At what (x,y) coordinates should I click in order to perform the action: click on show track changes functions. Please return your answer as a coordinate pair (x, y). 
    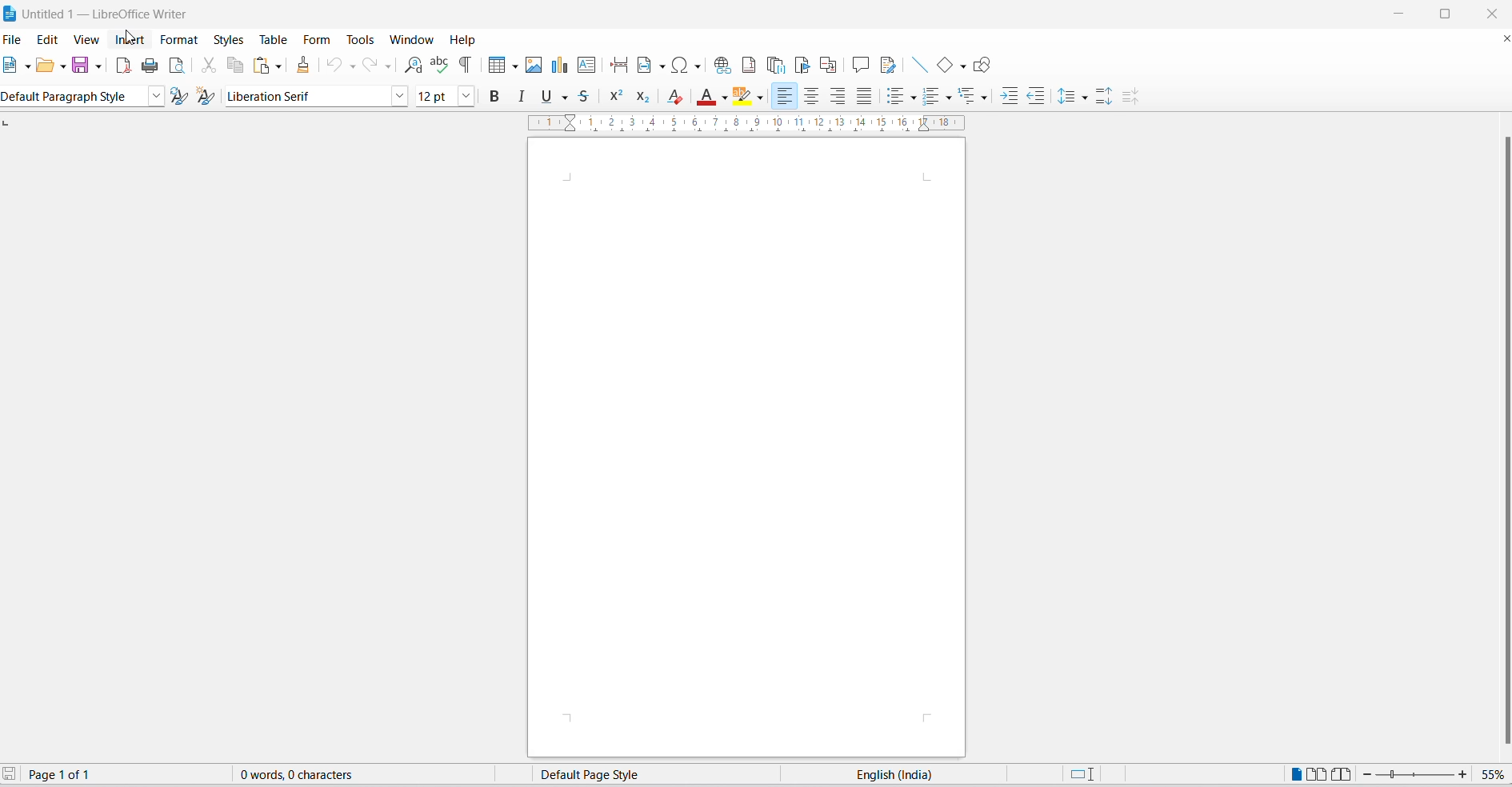
    Looking at the image, I should click on (892, 65).